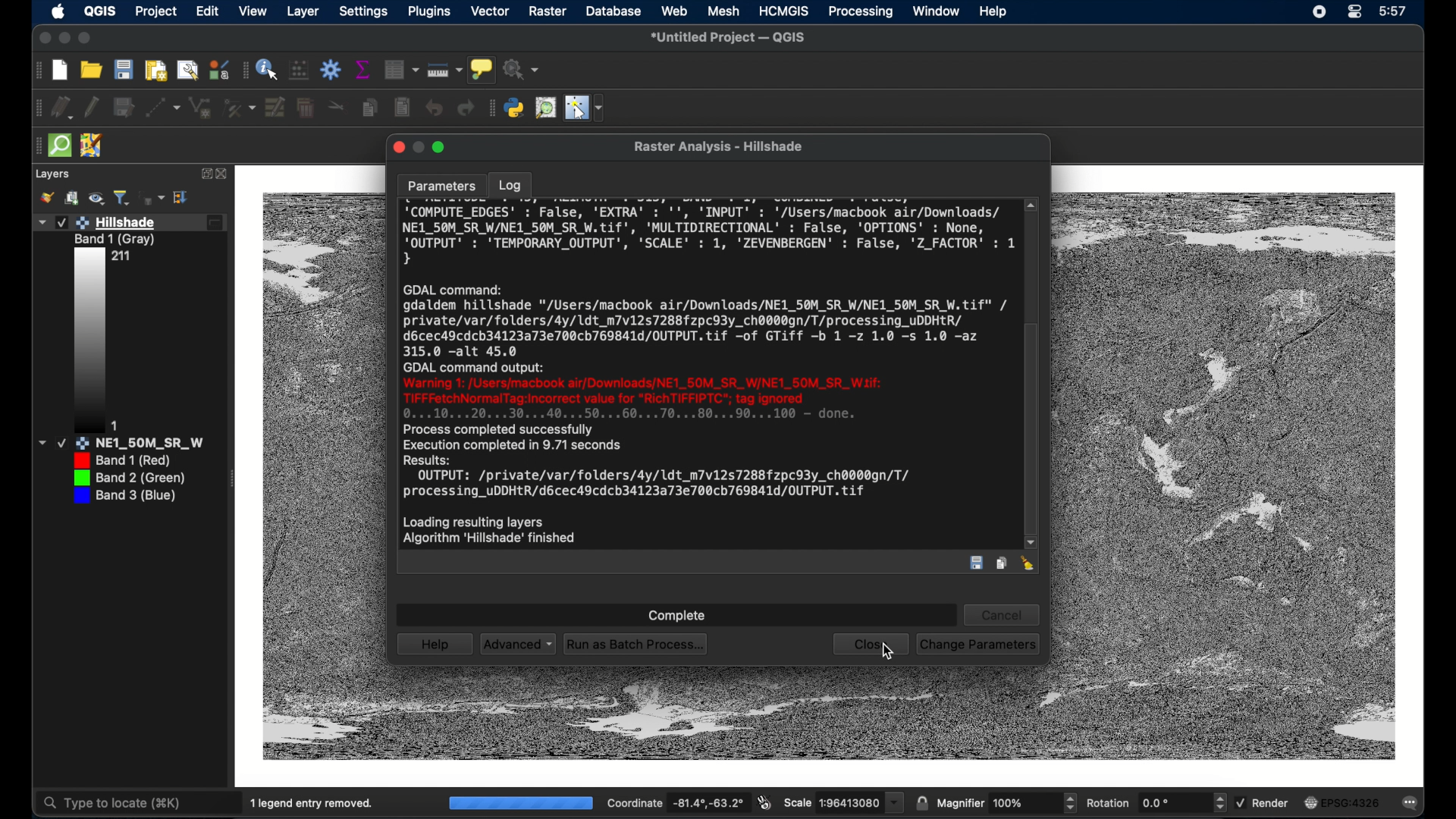 The image size is (1456, 819). What do you see at coordinates (46, 199) in the screenshot?
I see `styling panel` at bounding box center [46, 199].